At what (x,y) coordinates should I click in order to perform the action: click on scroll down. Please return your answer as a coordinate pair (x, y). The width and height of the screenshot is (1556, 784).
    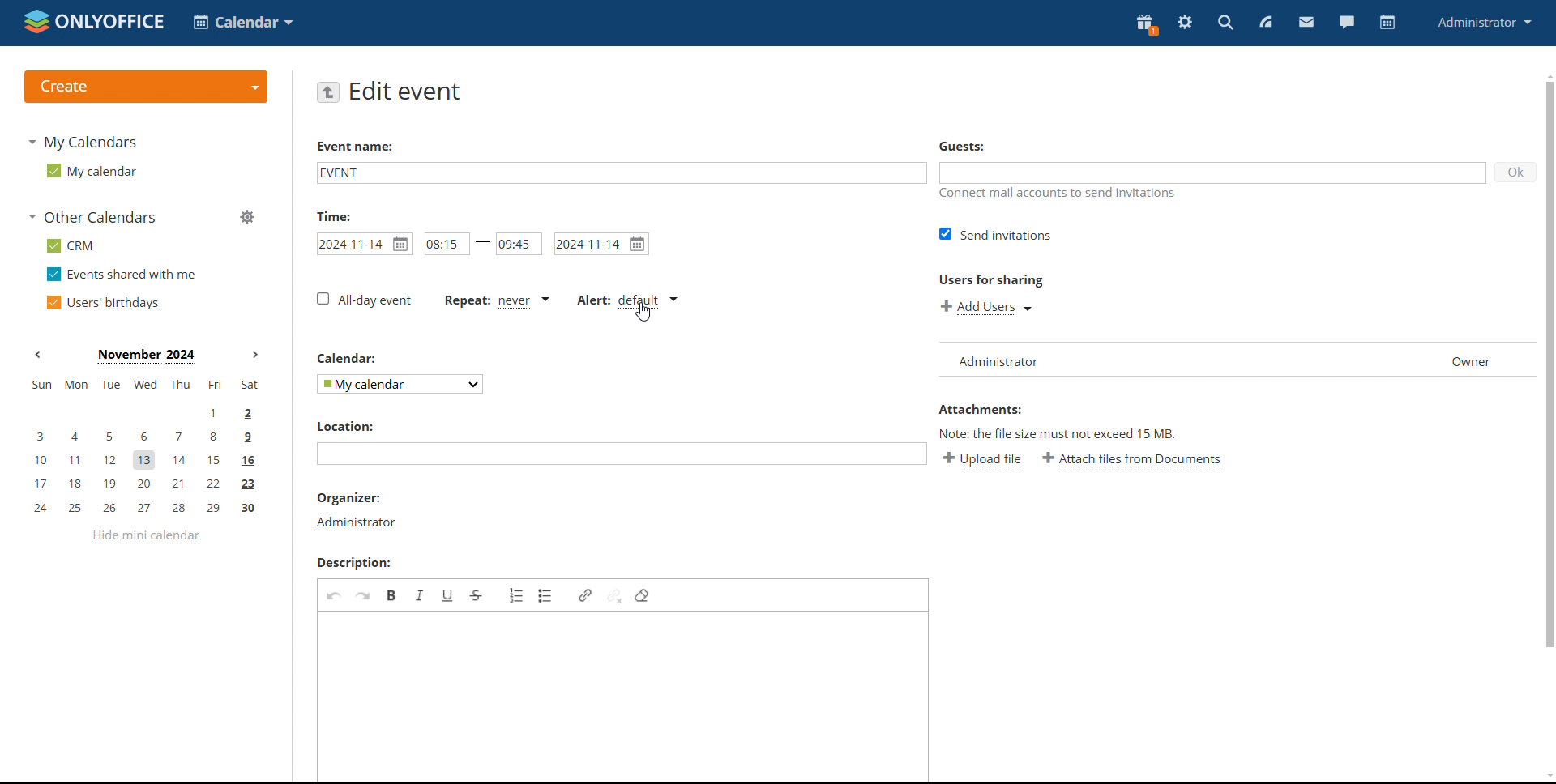
    Looking at the image, I should click on (1546, 777).